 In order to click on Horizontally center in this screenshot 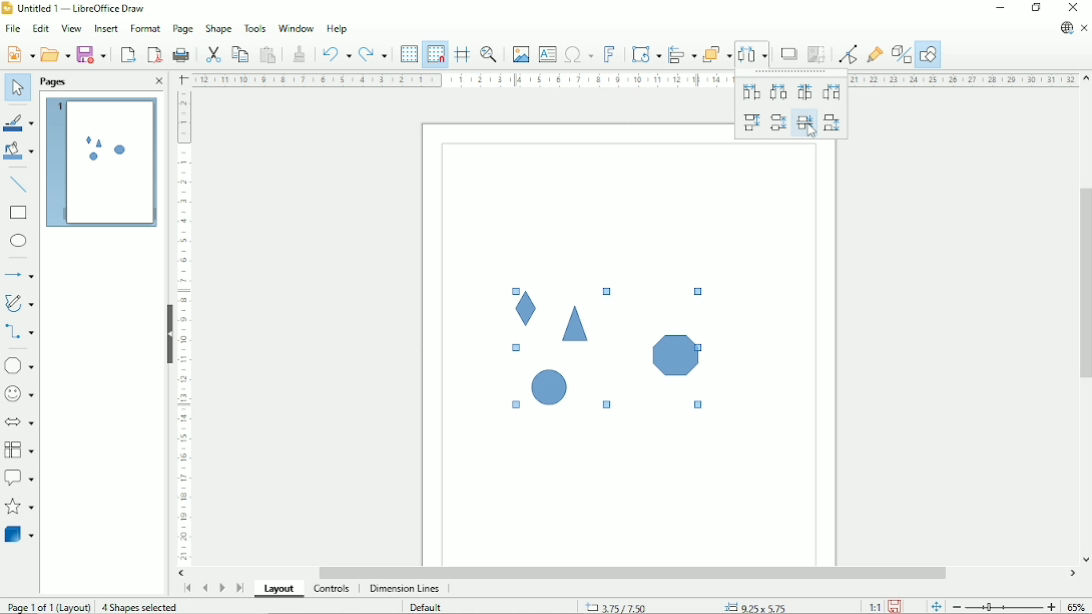, I will do `click(778, 92)`.